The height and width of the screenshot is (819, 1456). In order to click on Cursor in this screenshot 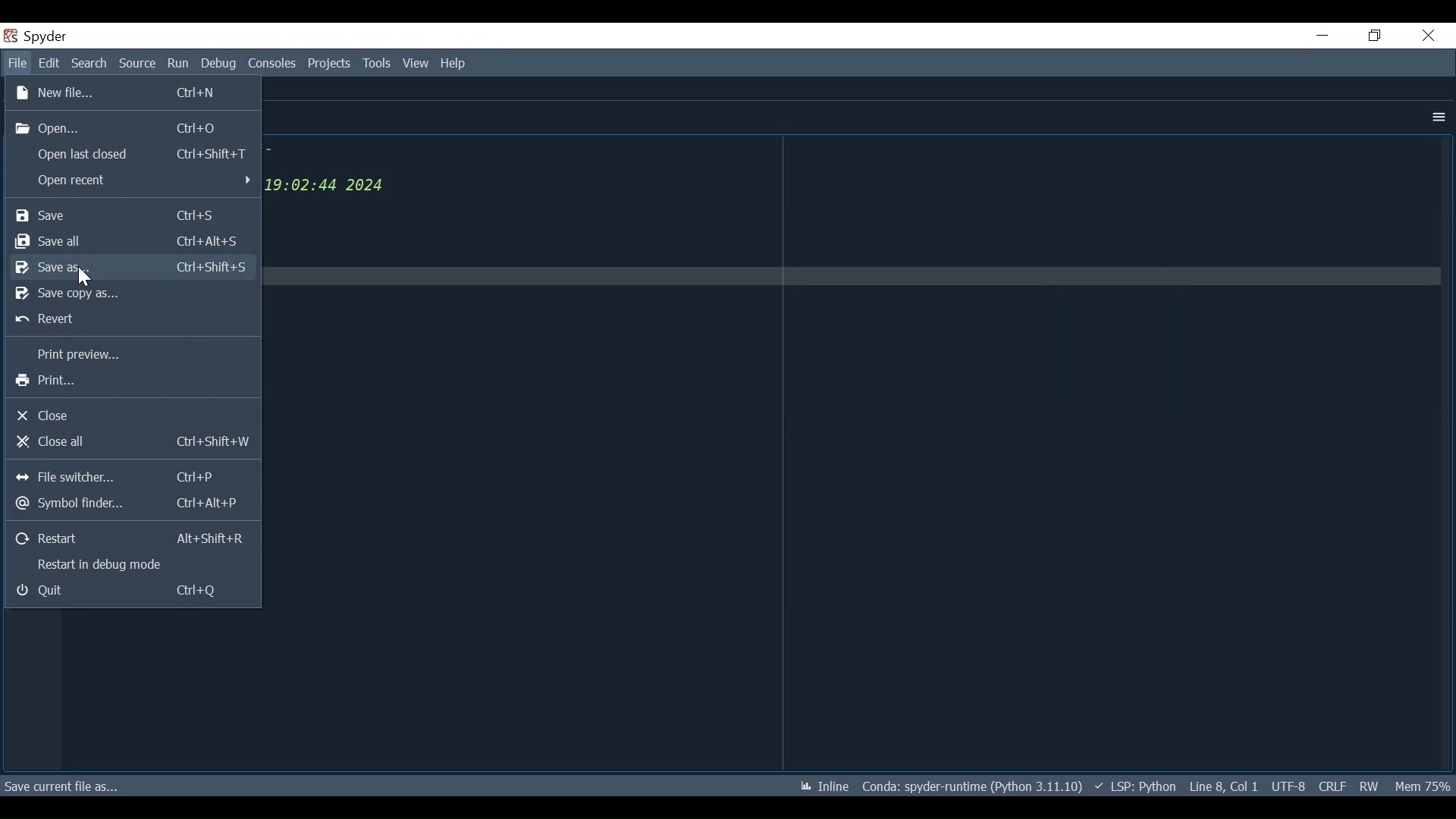, I will do `click(83, 278)`.